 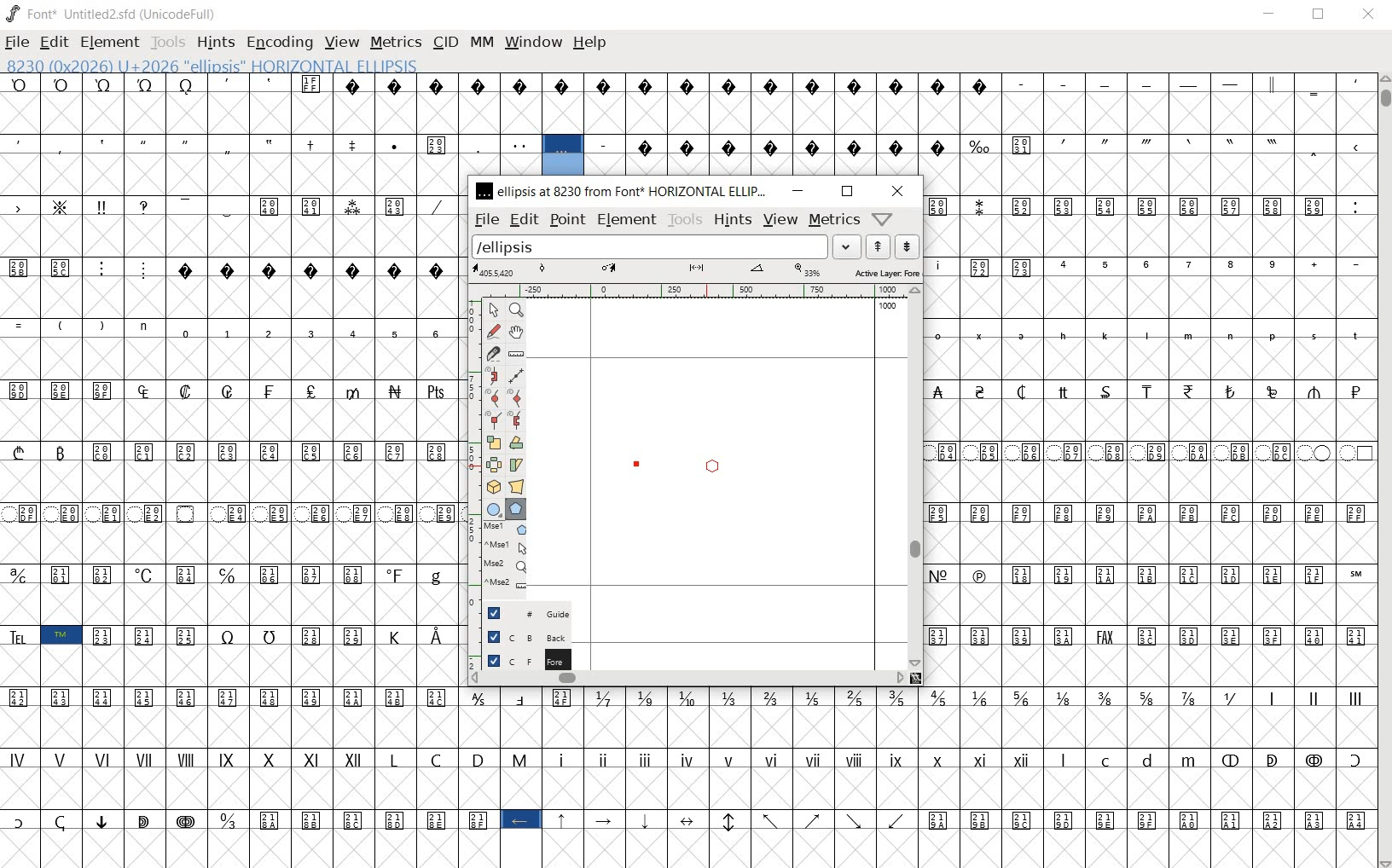 I want to click on EDIT, so click(x=56, y=42).